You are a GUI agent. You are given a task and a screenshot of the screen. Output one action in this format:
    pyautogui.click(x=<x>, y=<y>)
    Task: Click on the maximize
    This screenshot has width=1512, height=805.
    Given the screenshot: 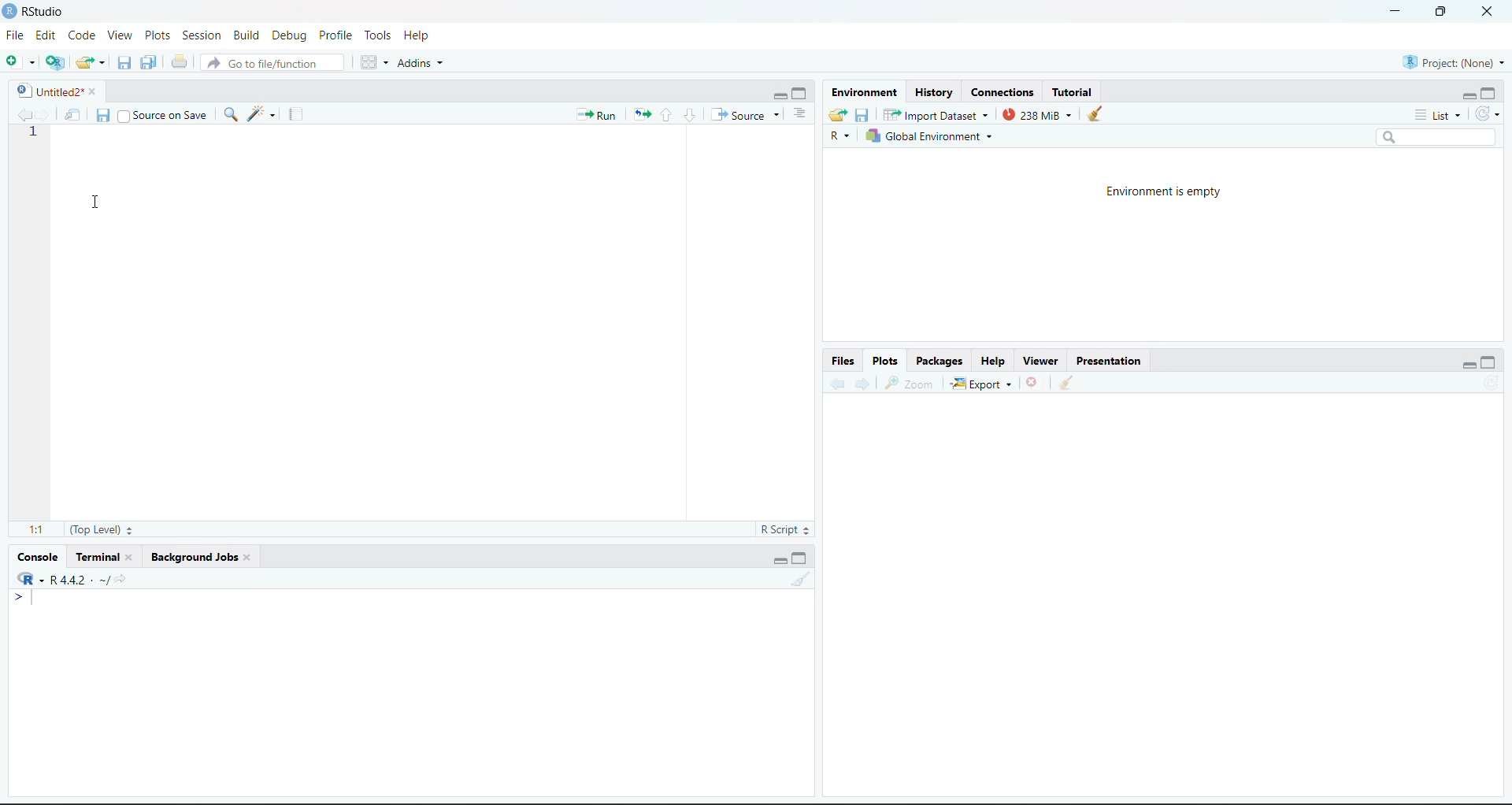 What is the action you would take?
    pyautogui.click(x=801, y=558)
    